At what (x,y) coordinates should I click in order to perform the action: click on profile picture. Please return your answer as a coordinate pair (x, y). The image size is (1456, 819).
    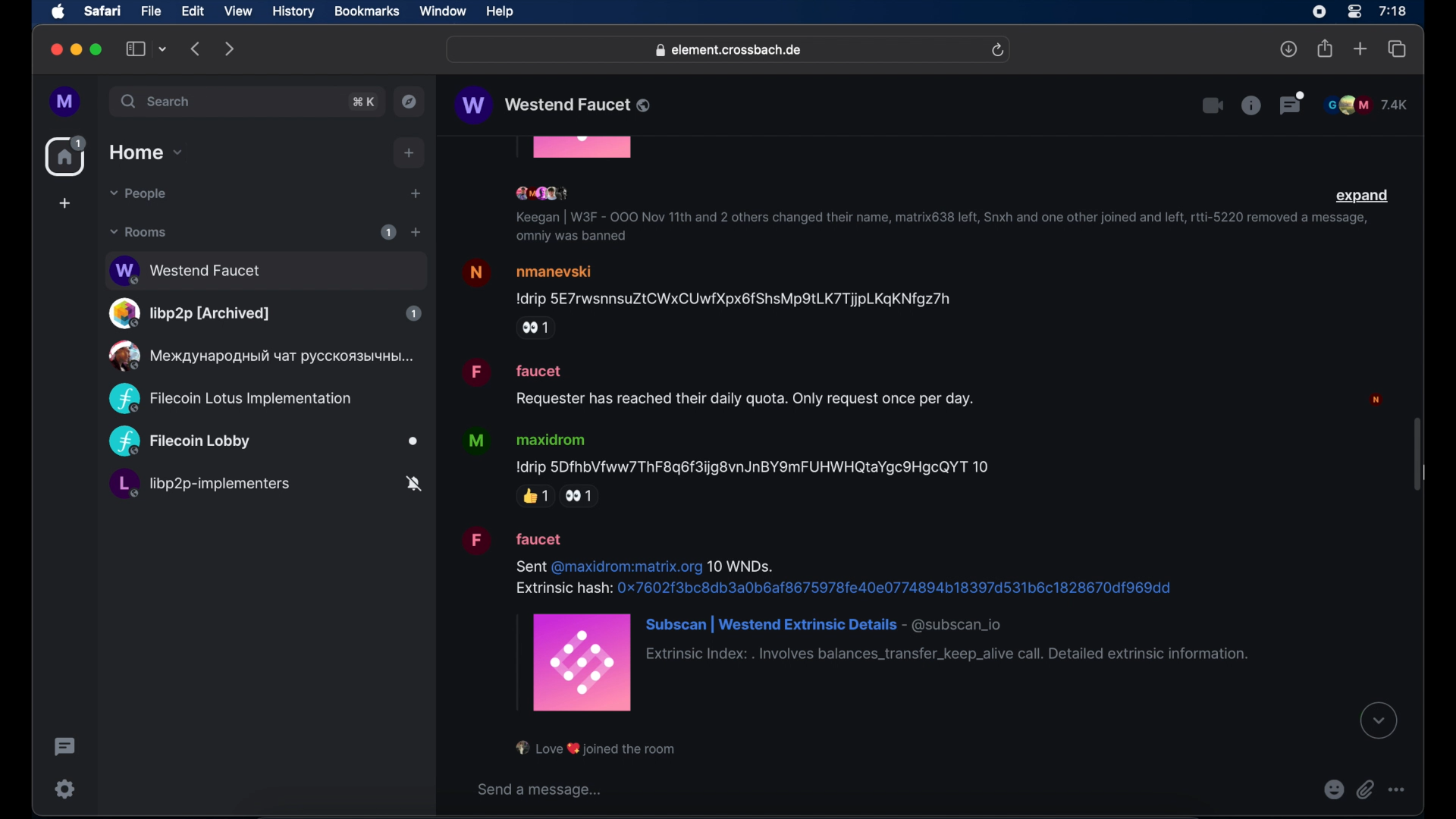
    Looking at the image, I should click on (1379, 399).